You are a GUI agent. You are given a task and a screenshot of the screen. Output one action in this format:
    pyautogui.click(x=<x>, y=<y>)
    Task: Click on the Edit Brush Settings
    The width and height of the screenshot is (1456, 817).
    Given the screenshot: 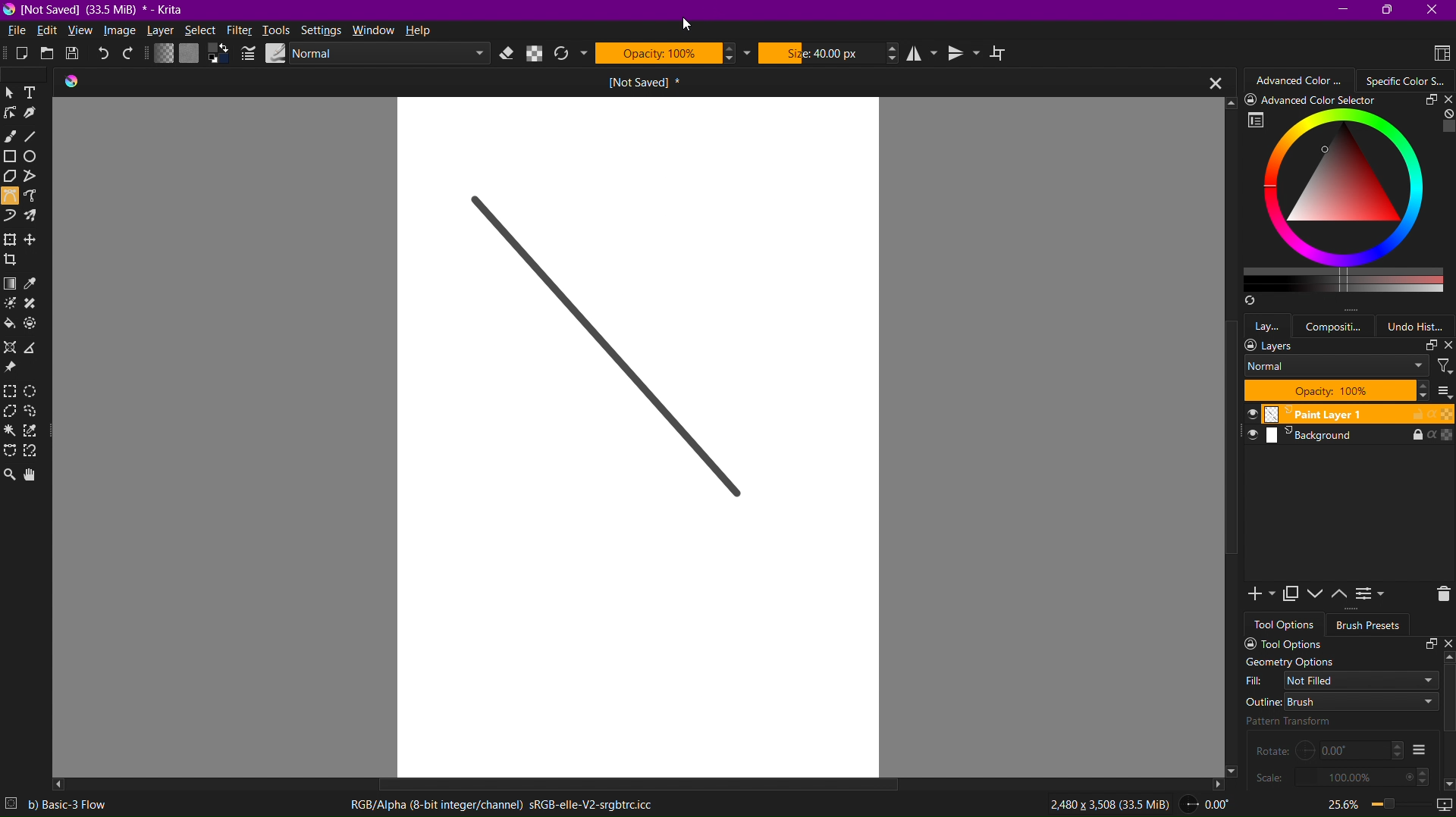 What is the action you would take?
    pyautogui.click(x=246, y=54)
    